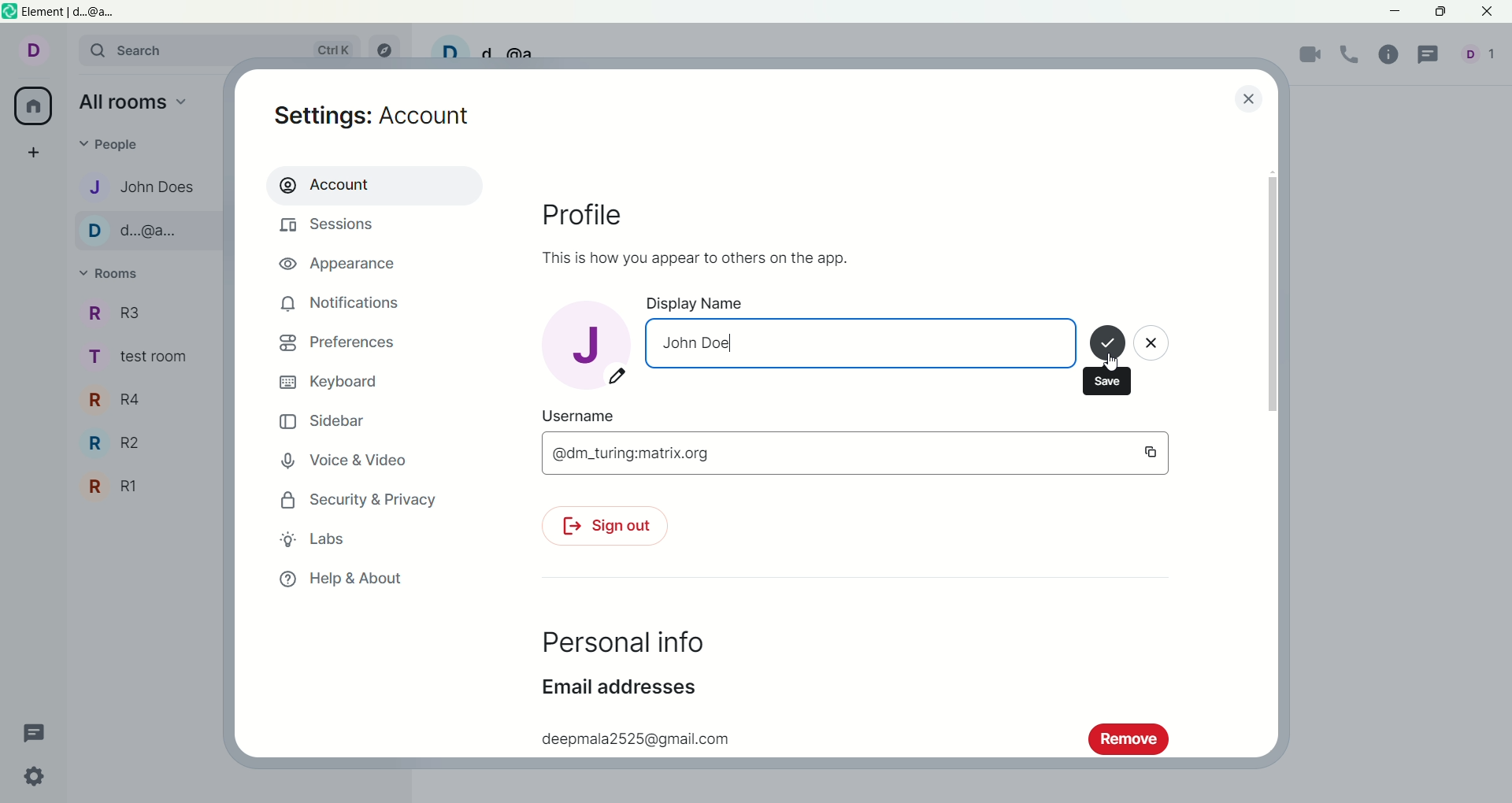  What do you see at coordinates (1107, 345) in the screenshot?
I see `save` at bounding box center [1107, 345].